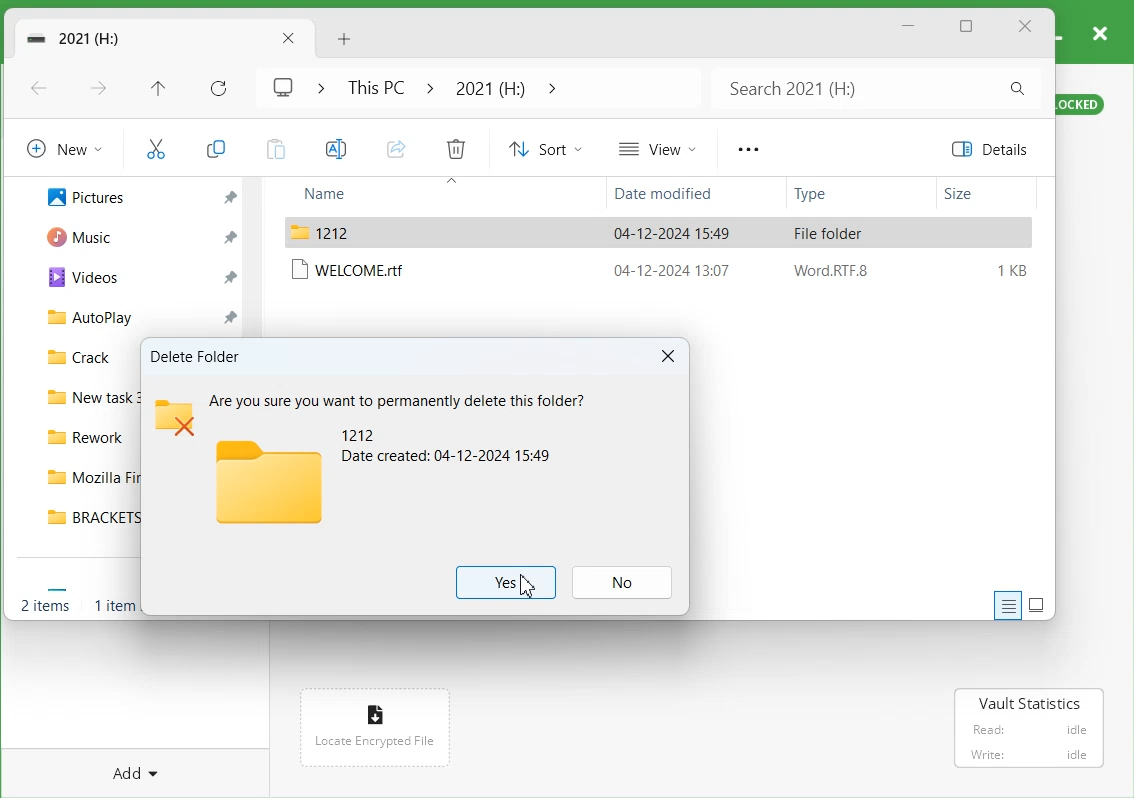 This screenshot has width=1134, height=798. Describe the element at coordinates (372, 87) in the screenshot. I see `This PC` at that location.